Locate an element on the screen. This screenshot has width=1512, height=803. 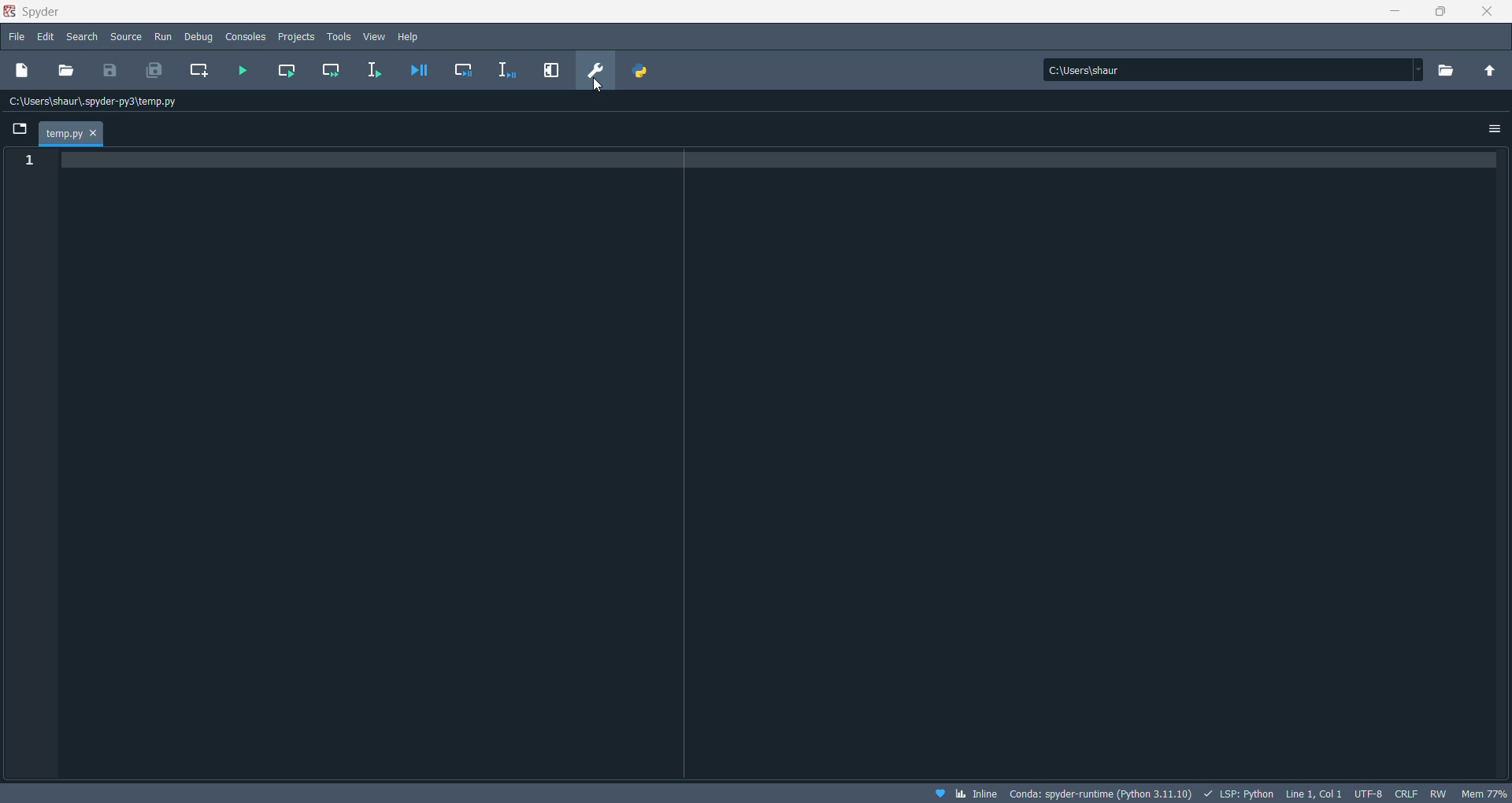
run file is located at coordinates (245, 72).